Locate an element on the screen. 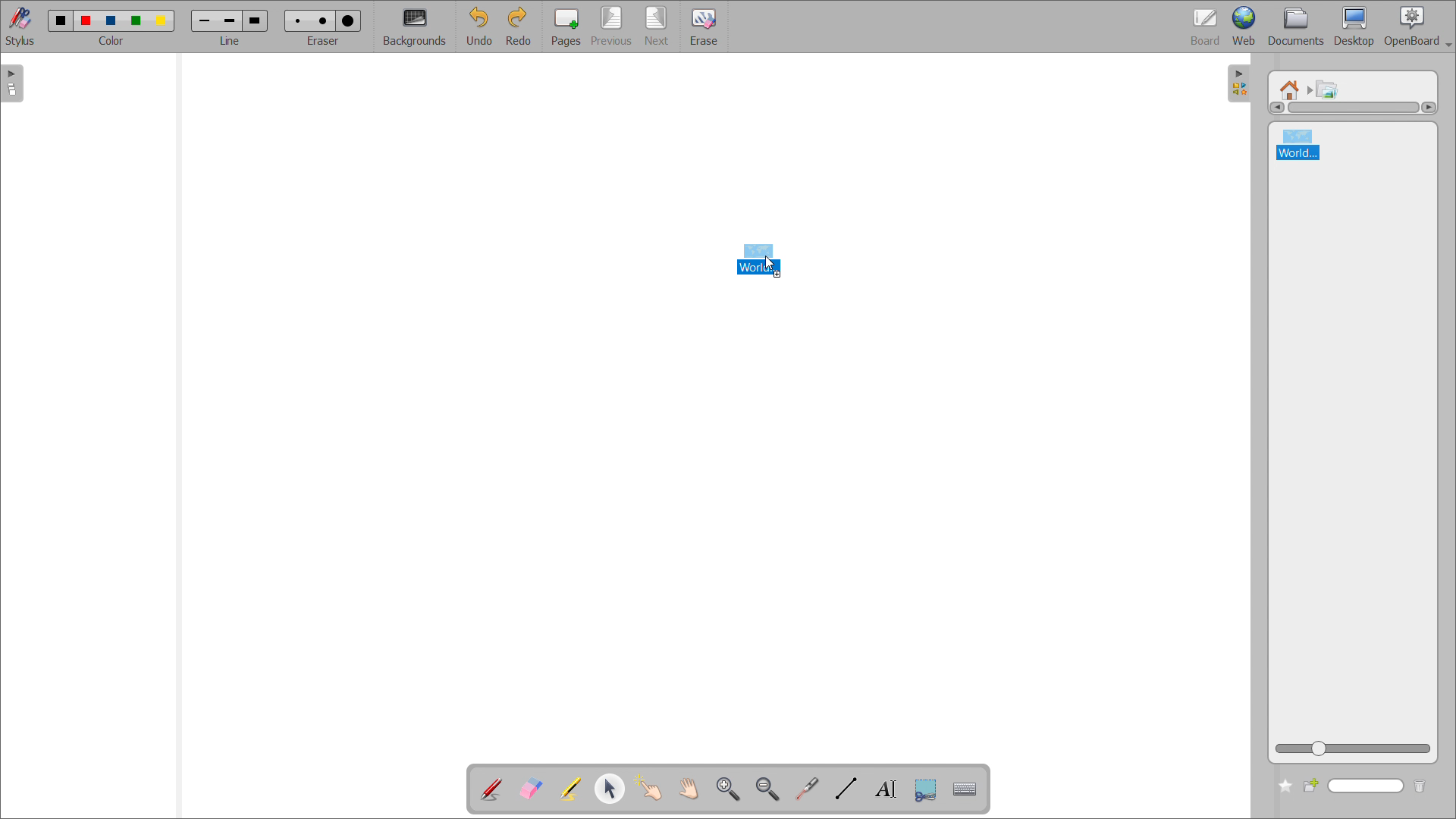  interact with items is located at coordinates (650, 787).